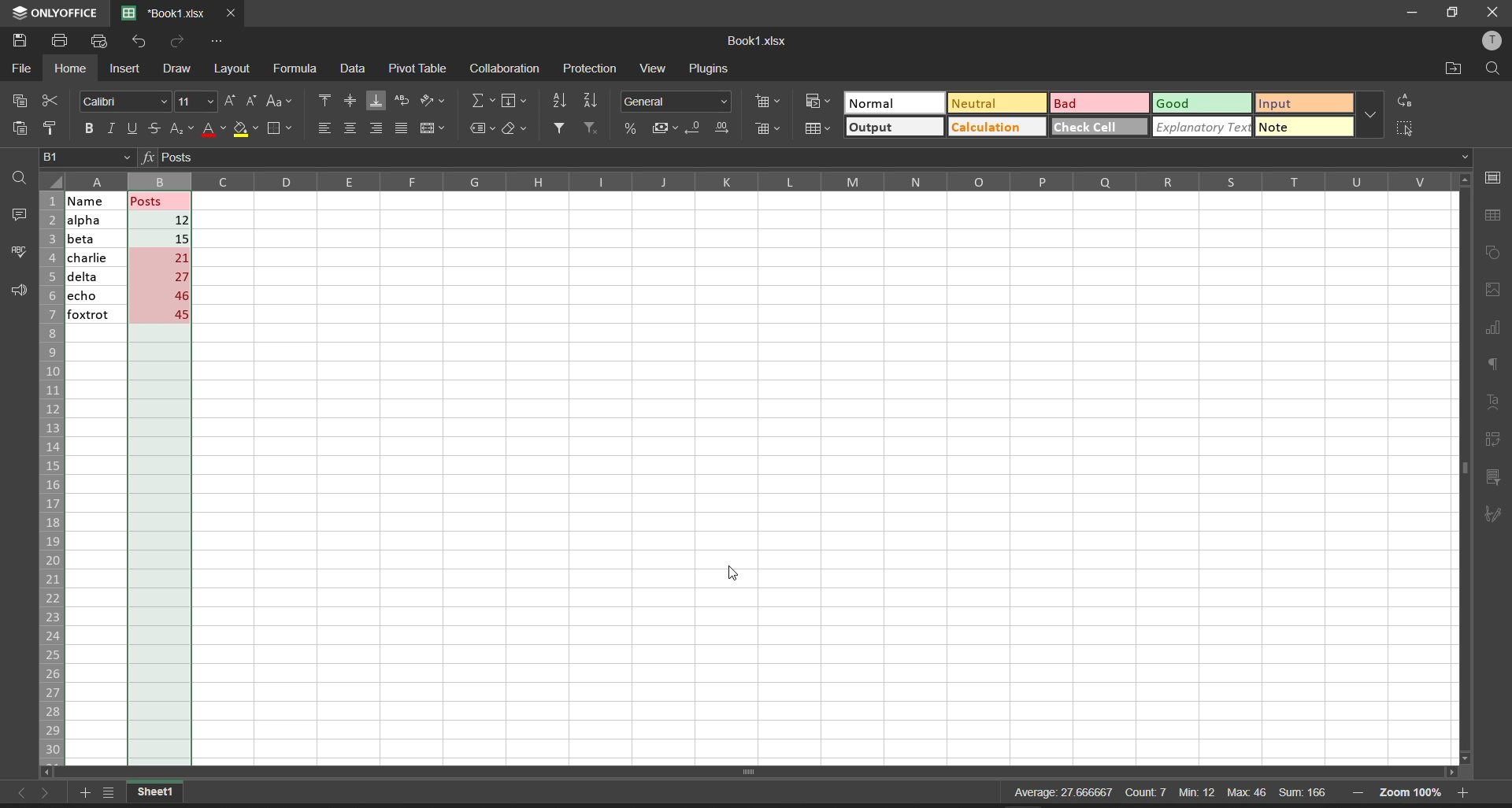 This screenshot has width=1512, height=808. I want to click on sort descending, so click(592, 101).